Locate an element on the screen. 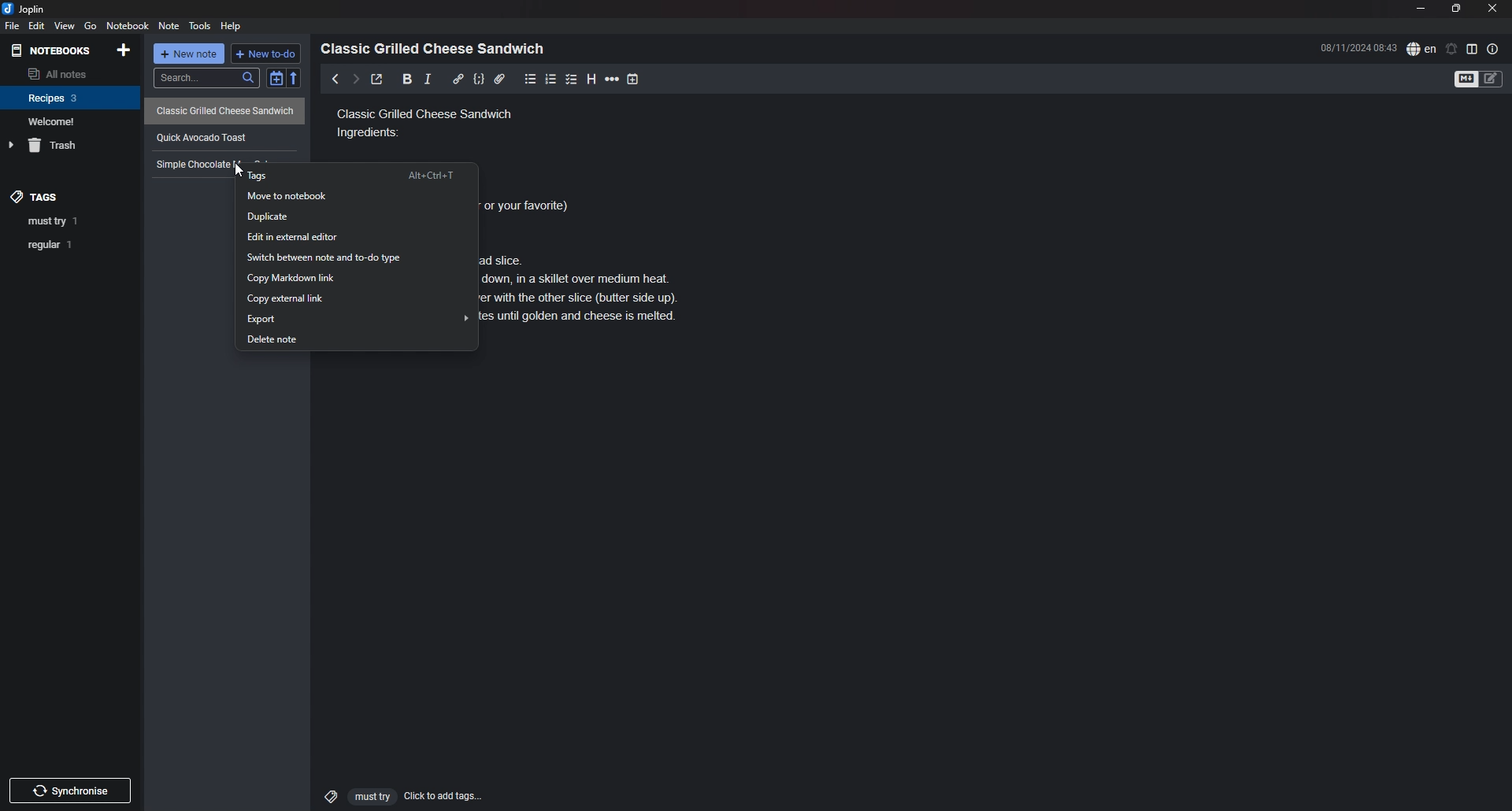 The width and height of the screenshot is (1512, 811). toggle editor is located at coordinates (1480, 80).